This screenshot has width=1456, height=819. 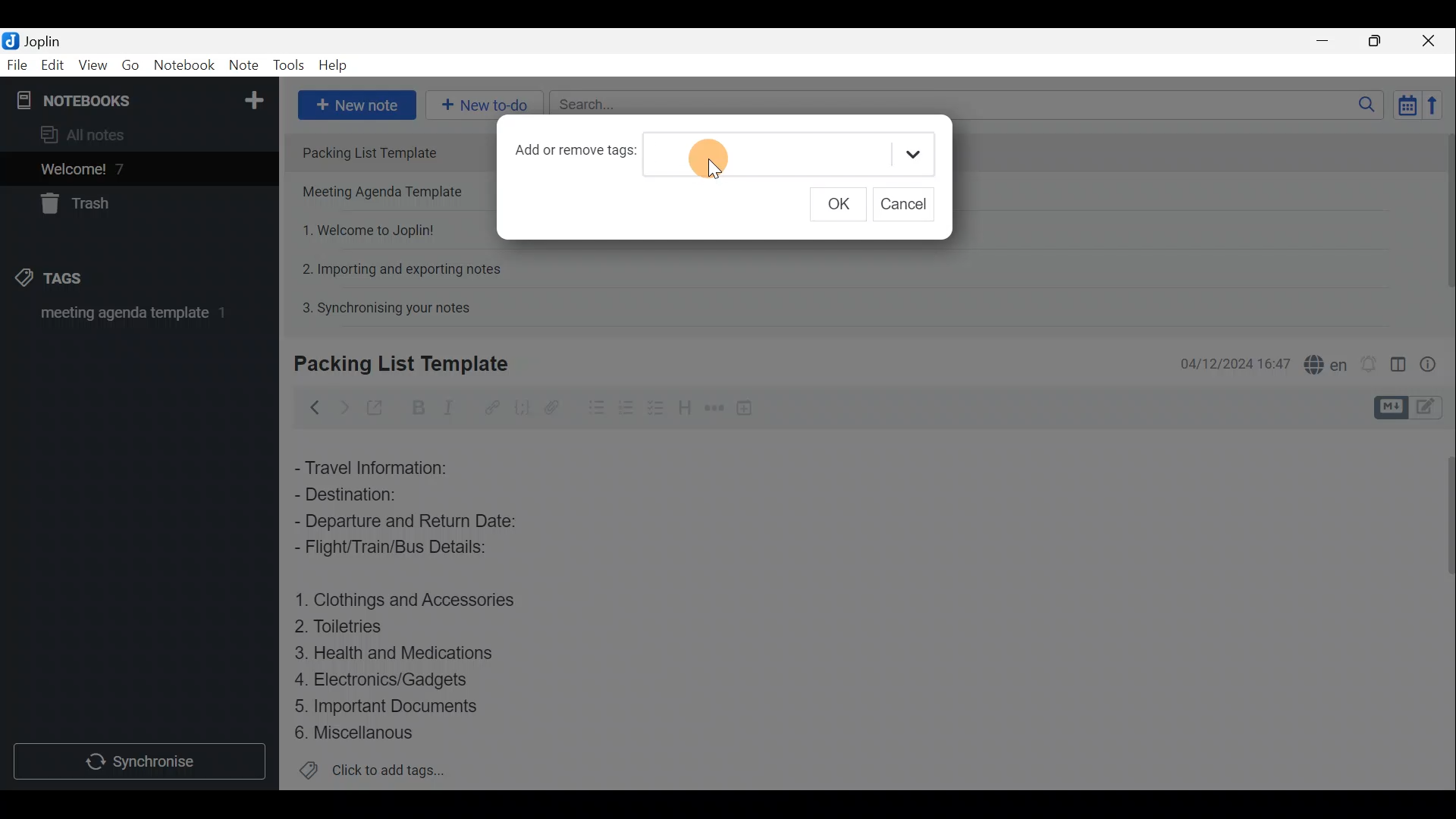 What do you see at coordinates (131, 65) in the screenshot?
I see `Go` at bounding box center [131, 65].